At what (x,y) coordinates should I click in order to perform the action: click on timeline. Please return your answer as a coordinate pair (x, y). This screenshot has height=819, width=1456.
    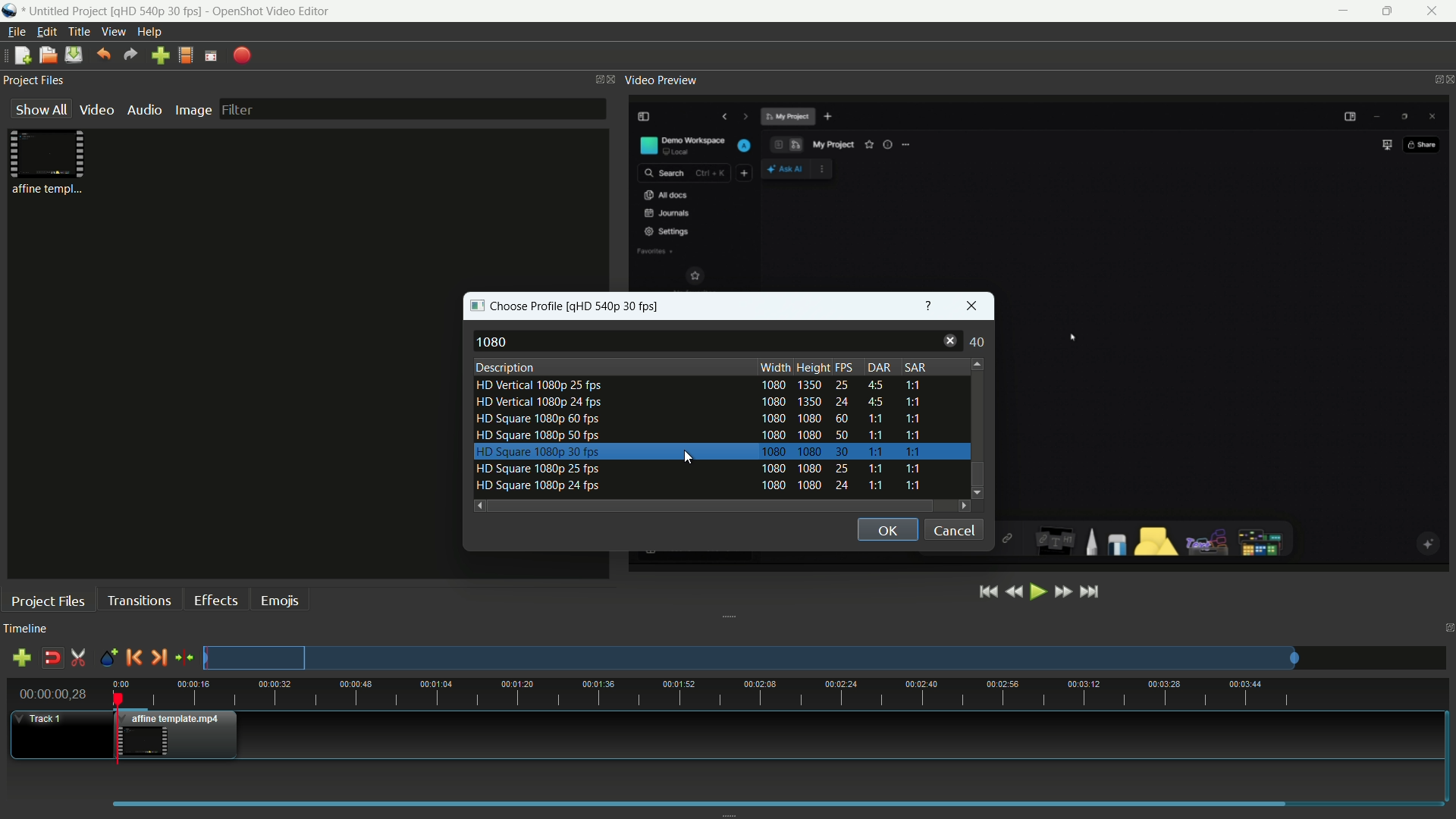
    Looking at the image, I should click on (26, 629).